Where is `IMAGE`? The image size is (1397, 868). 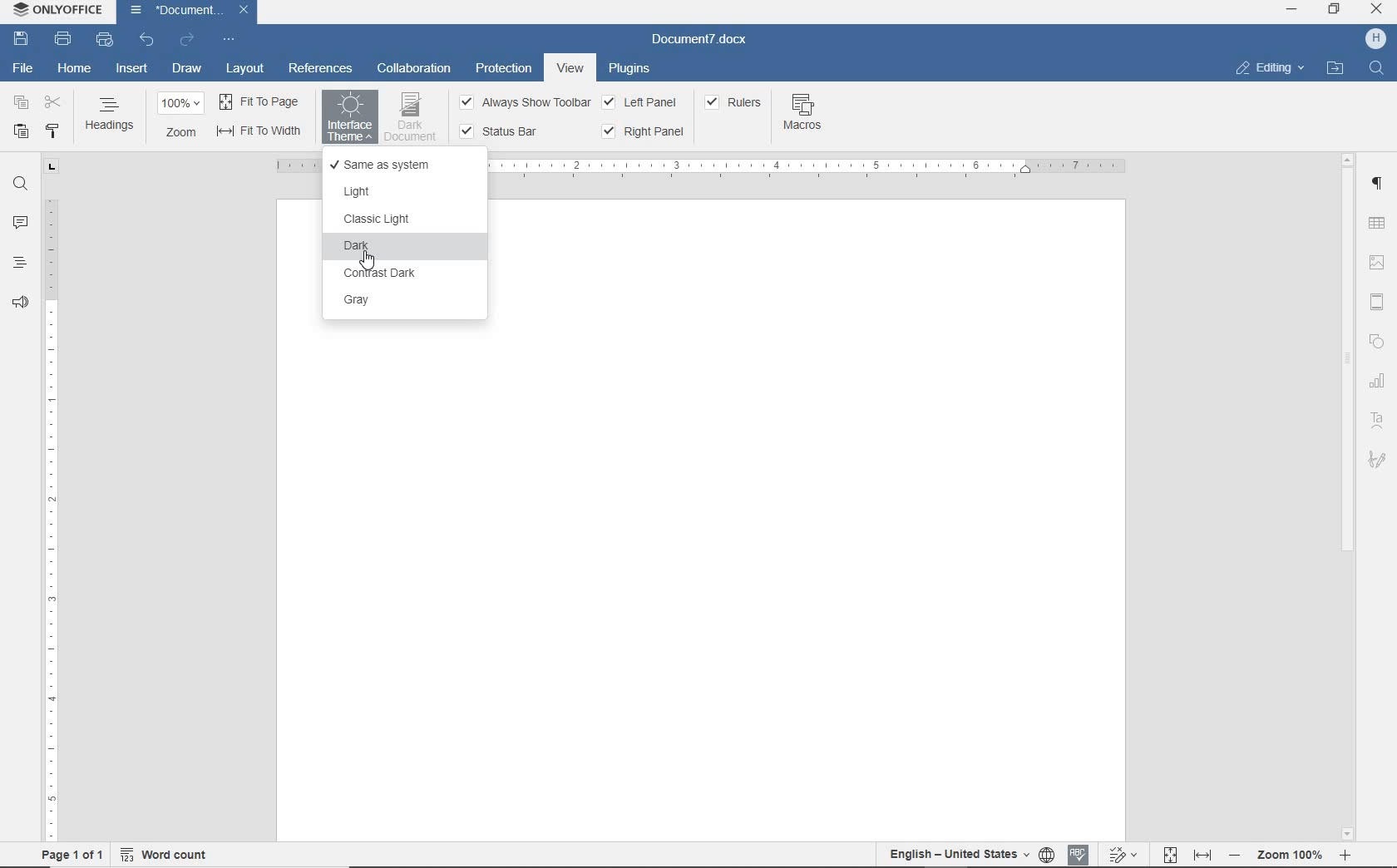
IMAGE is located at coordinates (1377, 262).